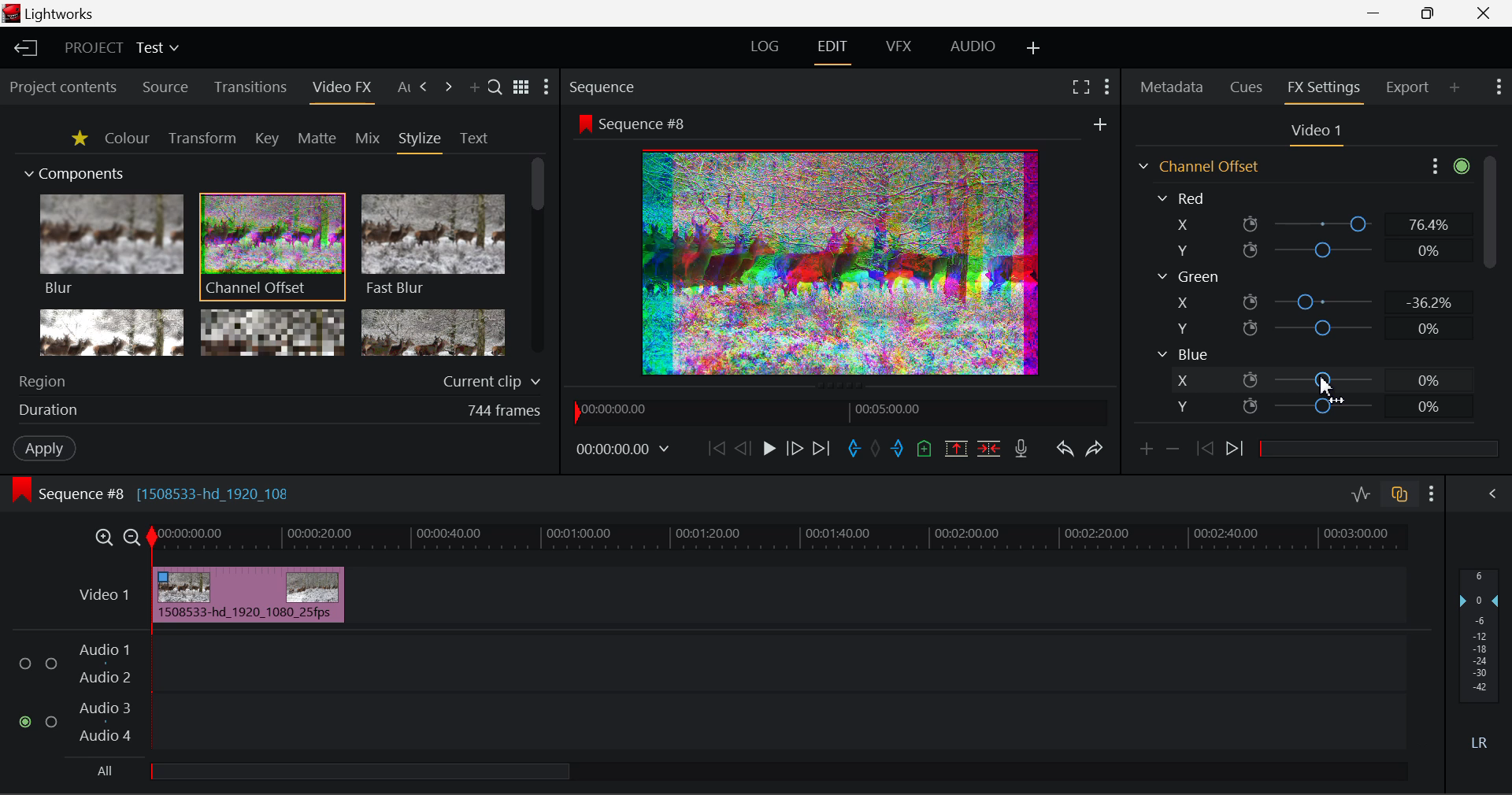  Describe the element at coordinates (623, 451) in the screenshot. I see `Frame Time` at that location.